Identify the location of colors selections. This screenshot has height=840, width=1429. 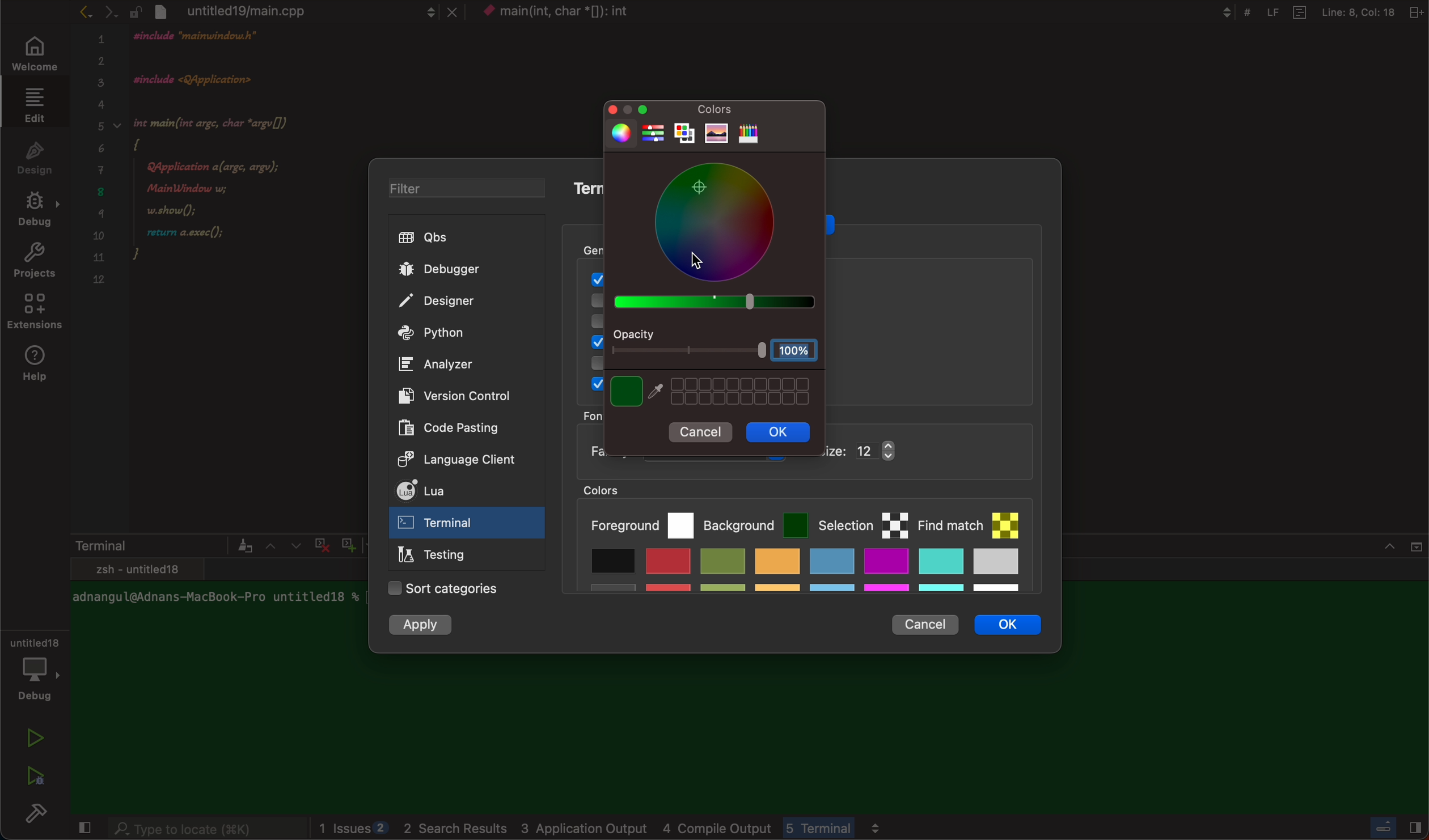
(711, 391).